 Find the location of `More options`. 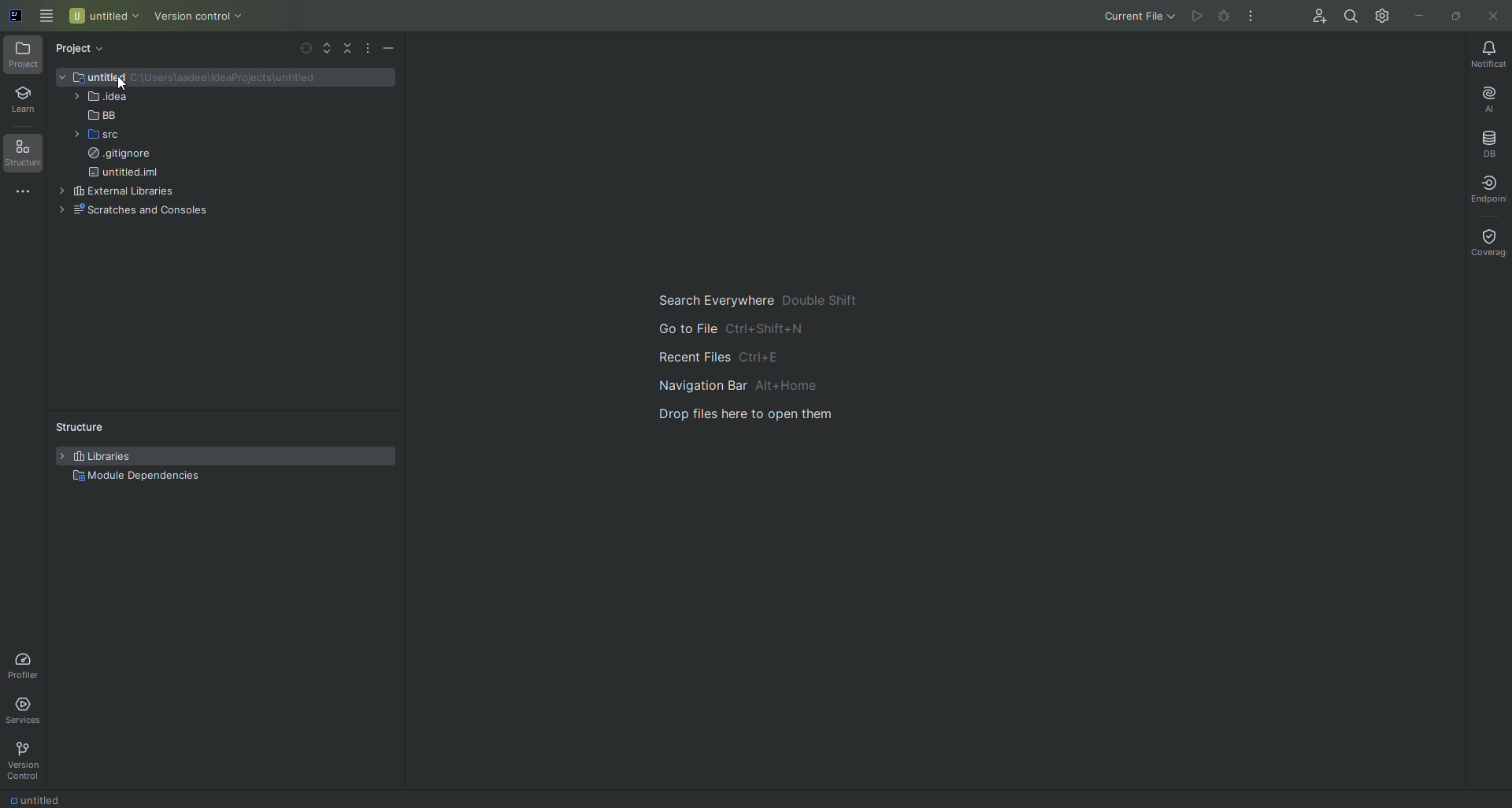

More options is located at coordinates (366, 49).